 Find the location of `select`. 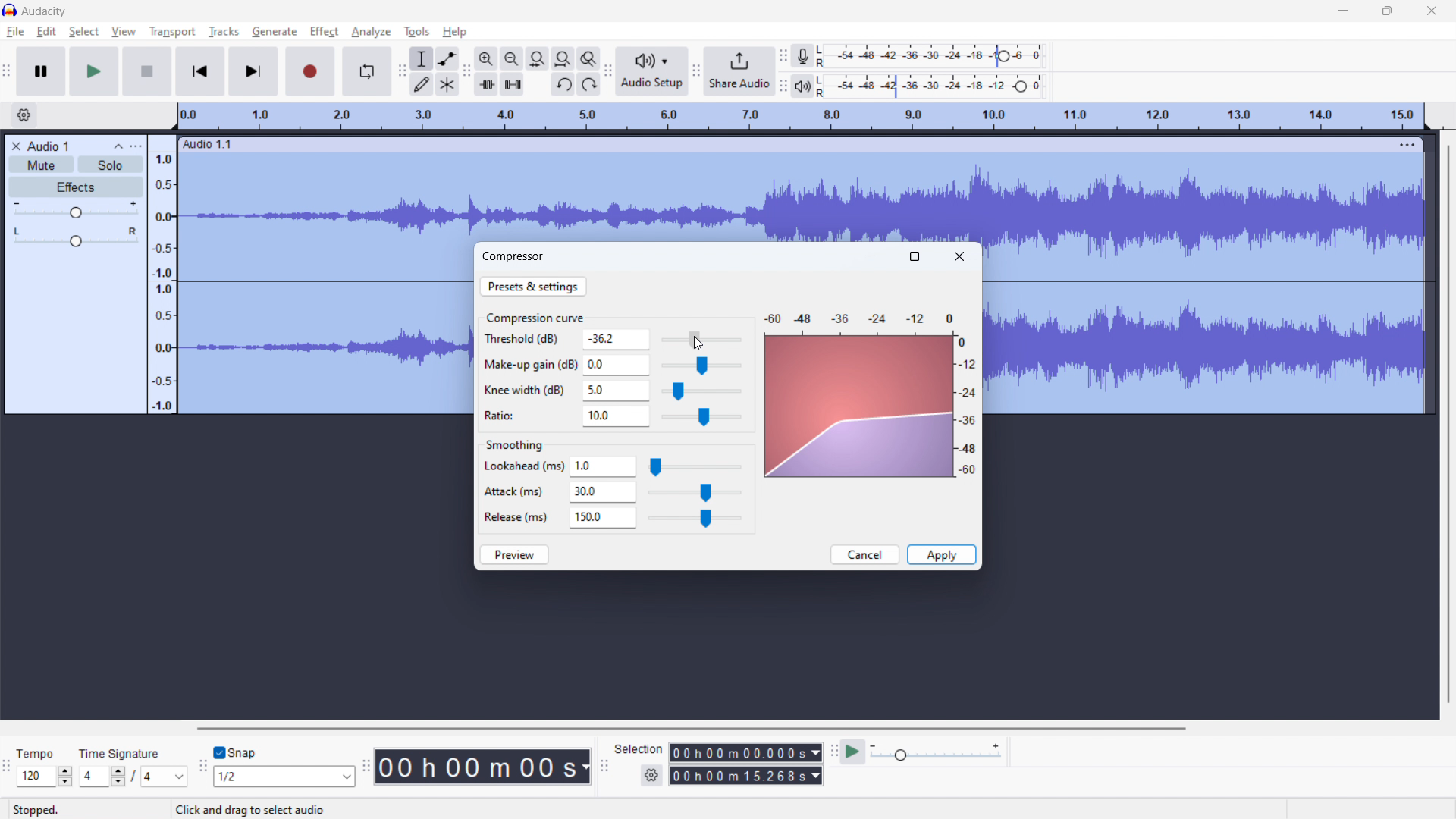

select is located at coordinates (84, 32).